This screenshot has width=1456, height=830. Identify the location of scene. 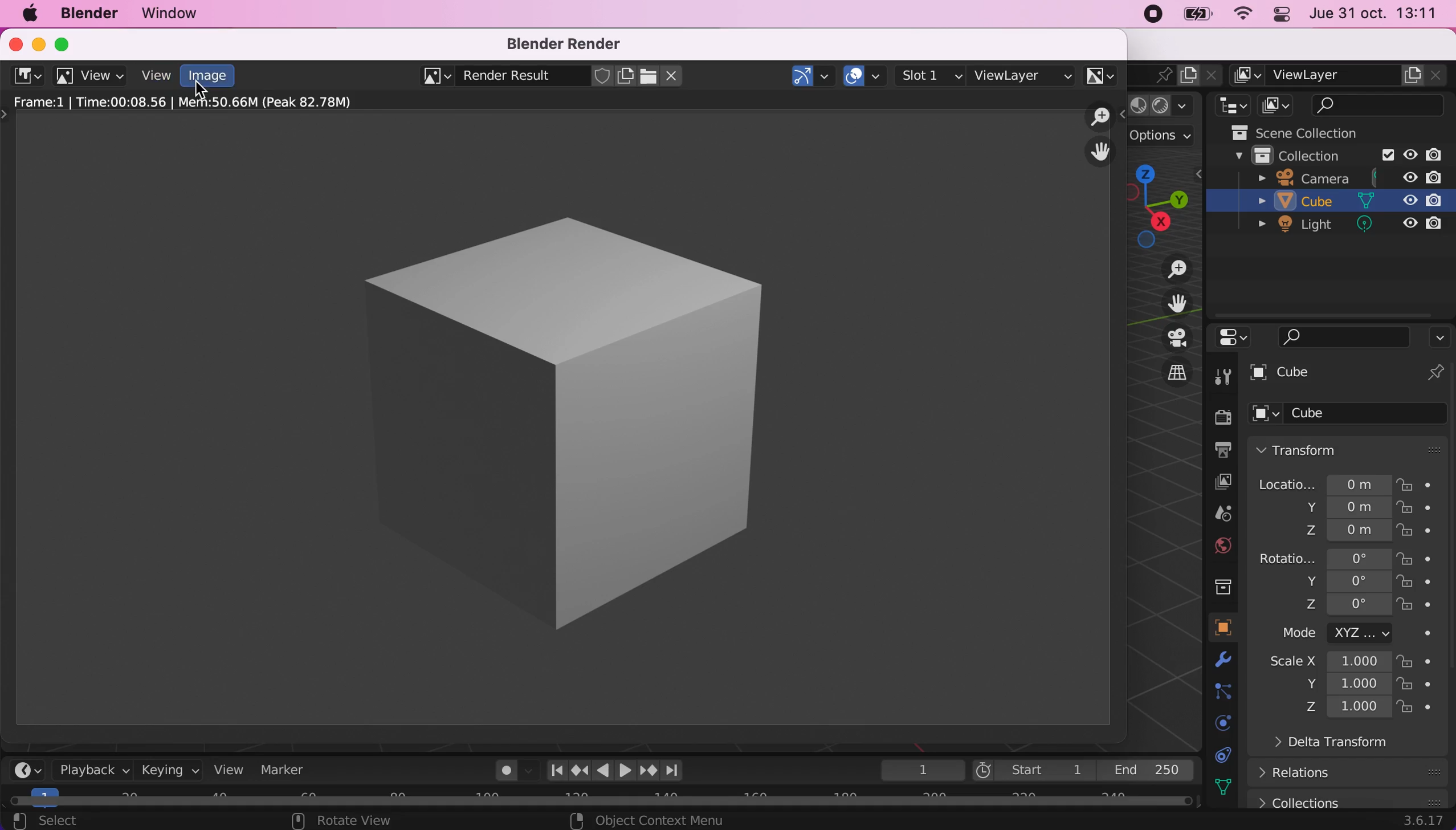
(1222, 514).